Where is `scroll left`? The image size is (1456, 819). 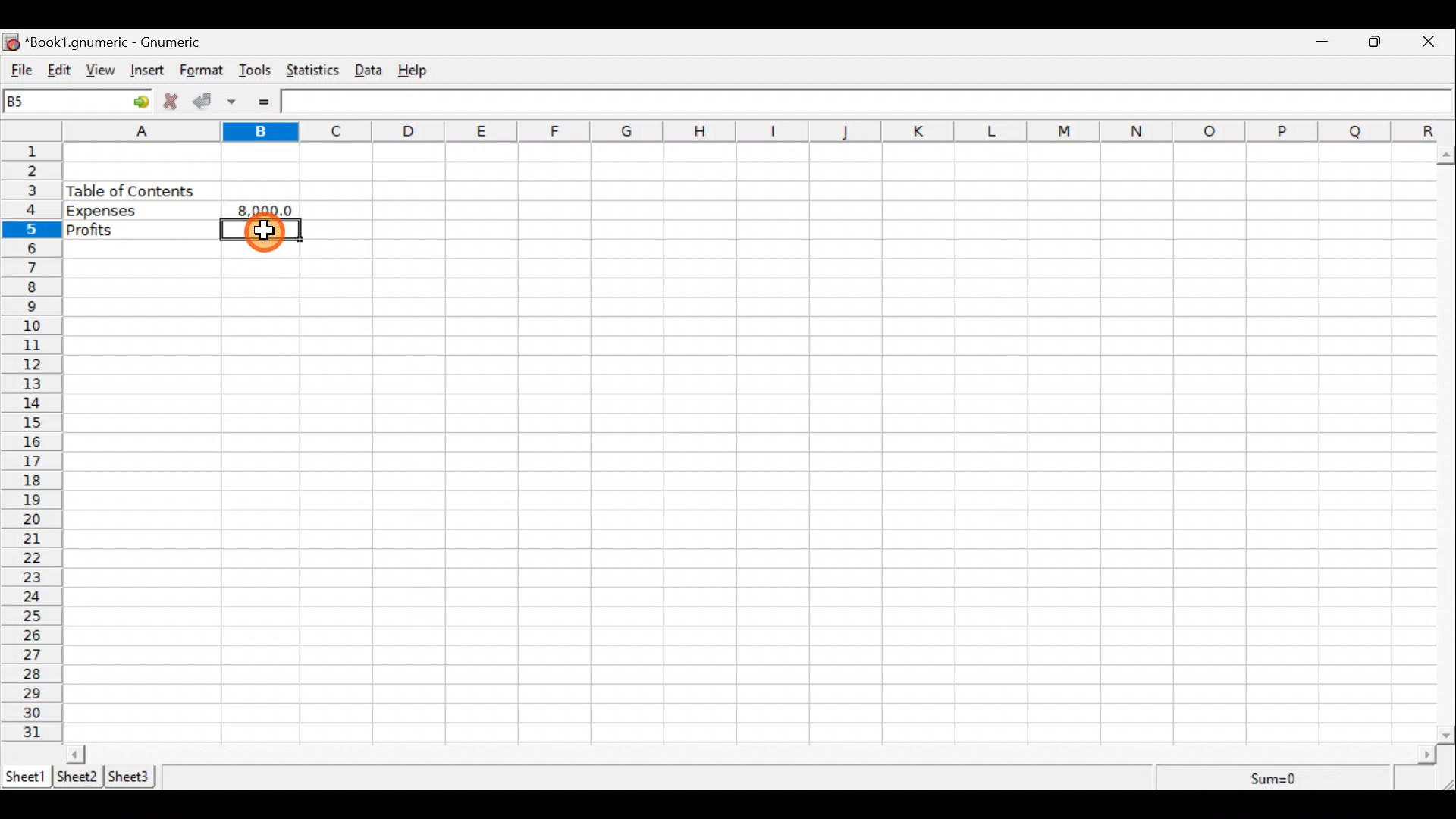
scroll left is located at coordinates (75, 754).